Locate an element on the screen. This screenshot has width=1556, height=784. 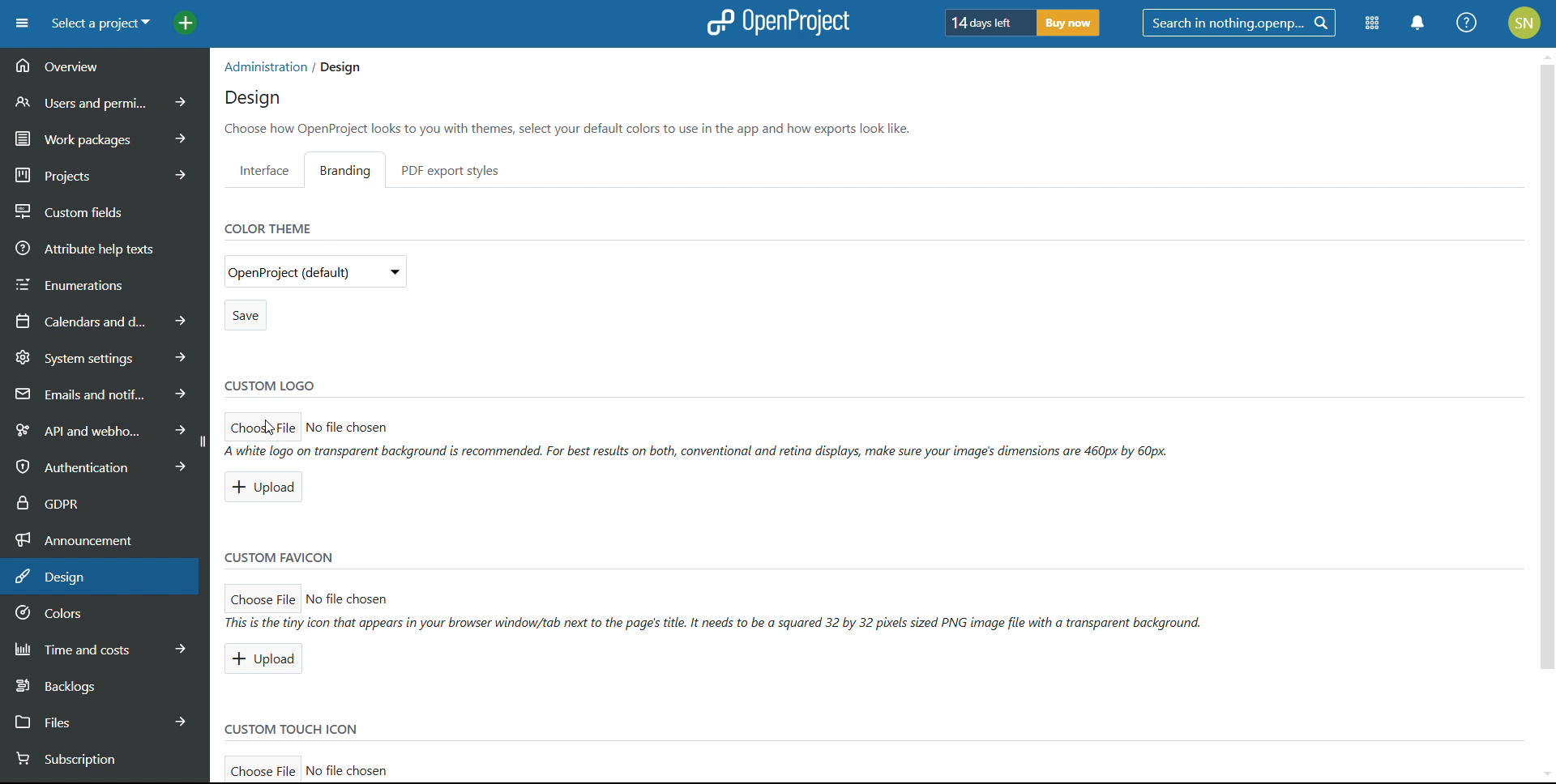
choose filefor custom touch icon is located at coordinates (261, 771).